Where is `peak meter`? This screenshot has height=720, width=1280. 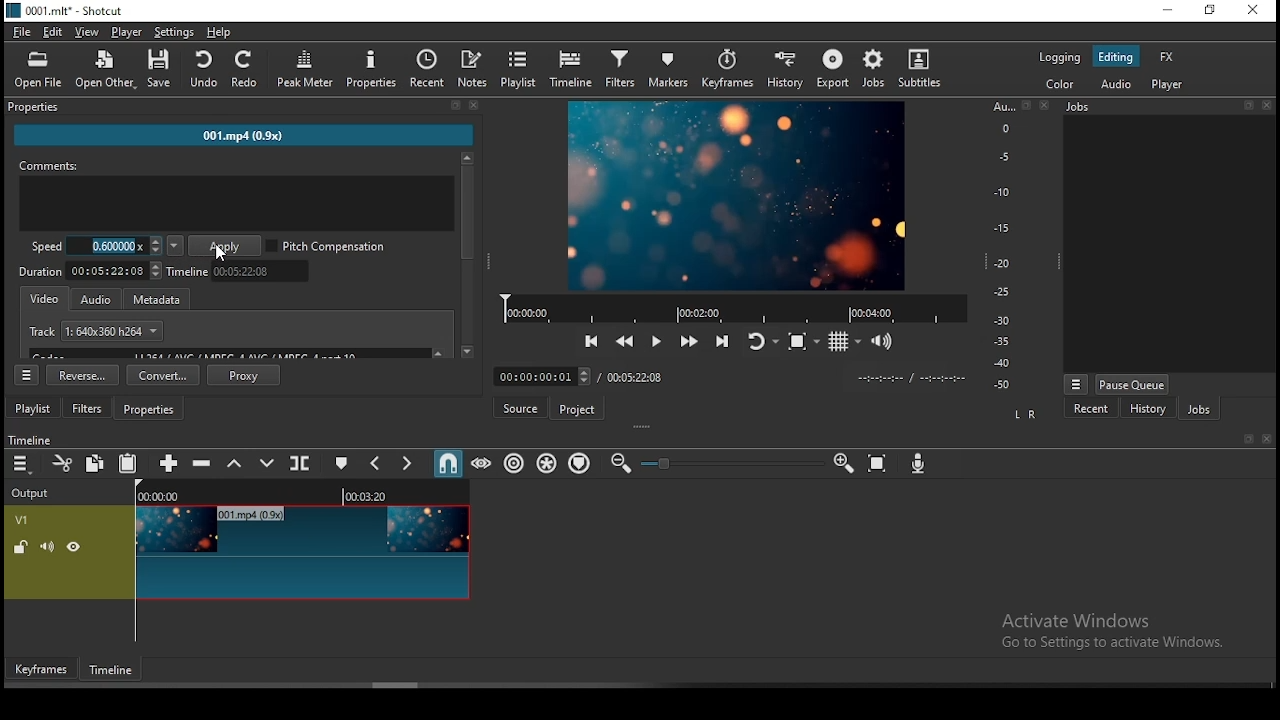 peak meter is located at coordinates (305, 67).